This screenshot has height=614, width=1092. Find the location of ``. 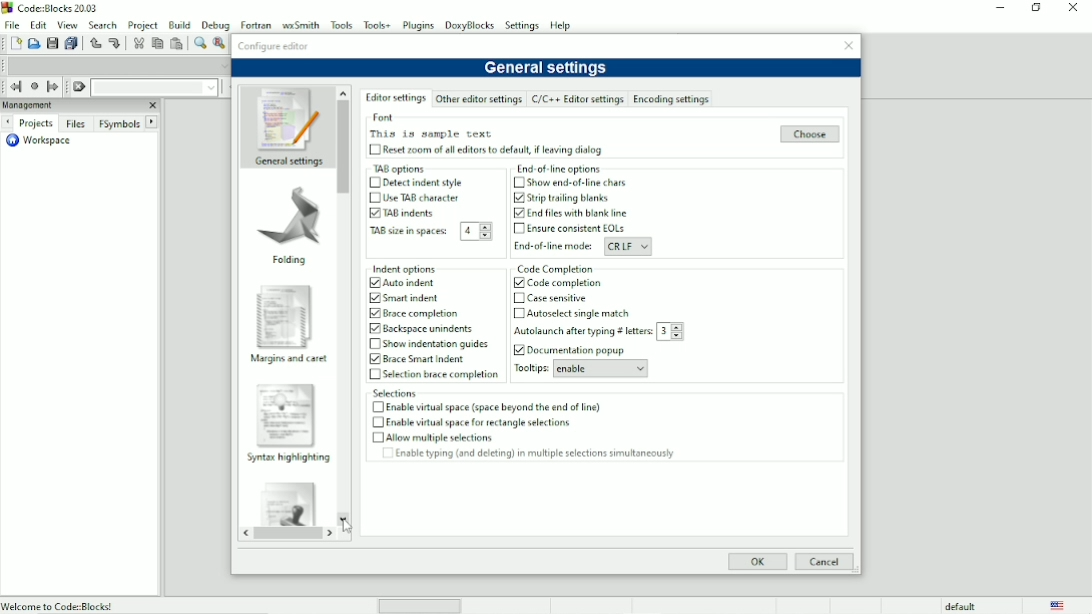

 is located at coordinates (372, 196).